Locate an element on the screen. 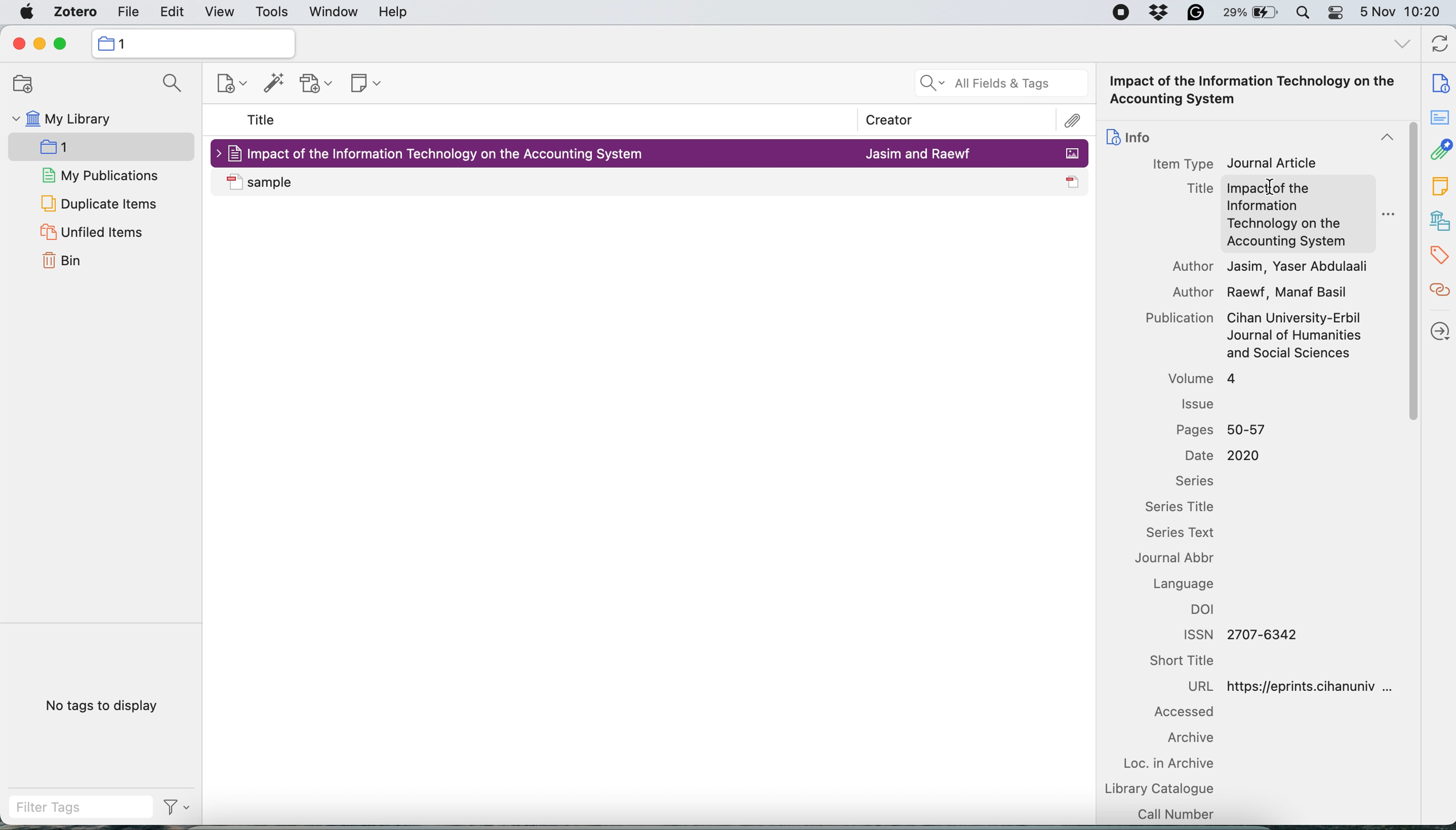  close is located at coordinates (19, 44).